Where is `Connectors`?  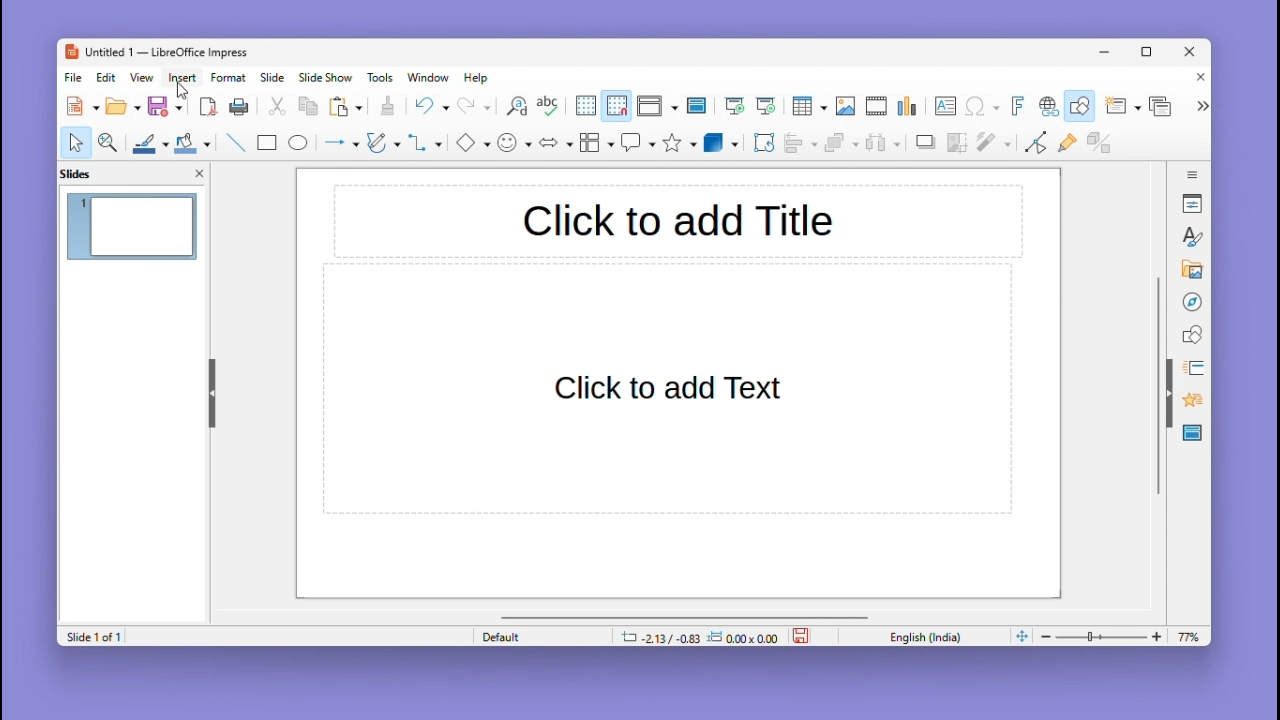
Connectors is located at coordinates (425, 142).